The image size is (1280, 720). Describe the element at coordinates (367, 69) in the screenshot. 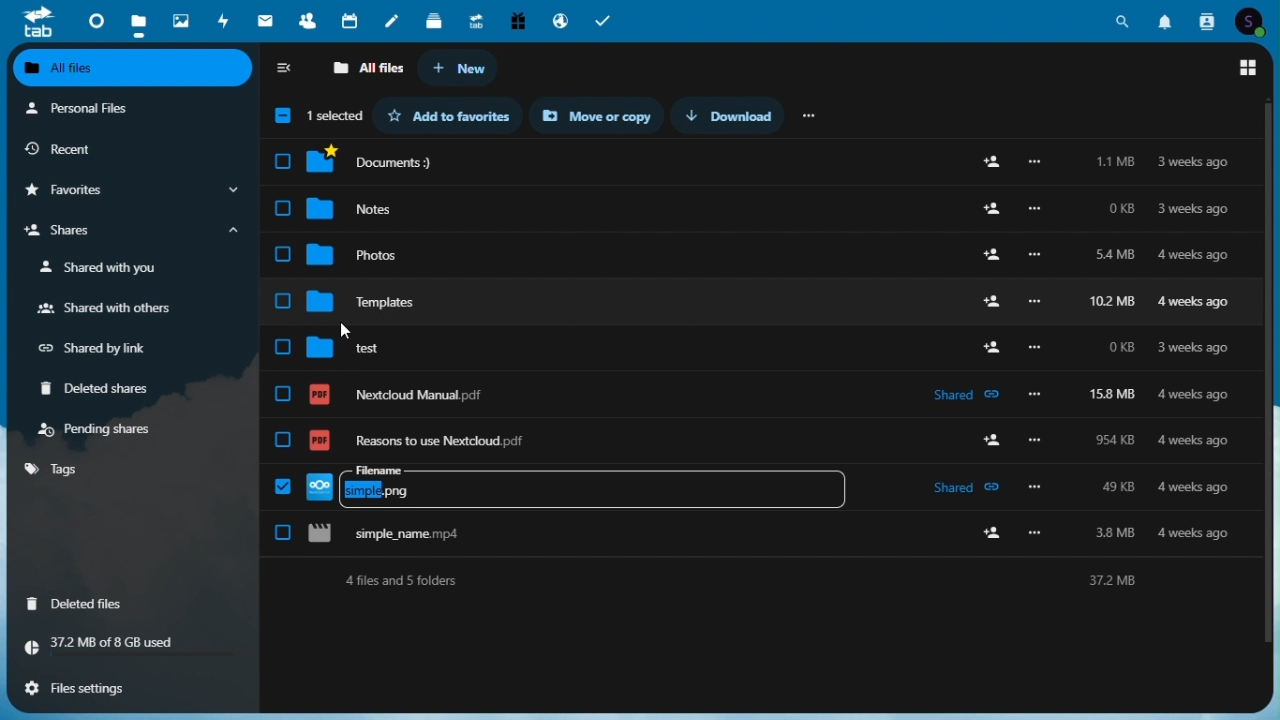

I see `all files` at that location.